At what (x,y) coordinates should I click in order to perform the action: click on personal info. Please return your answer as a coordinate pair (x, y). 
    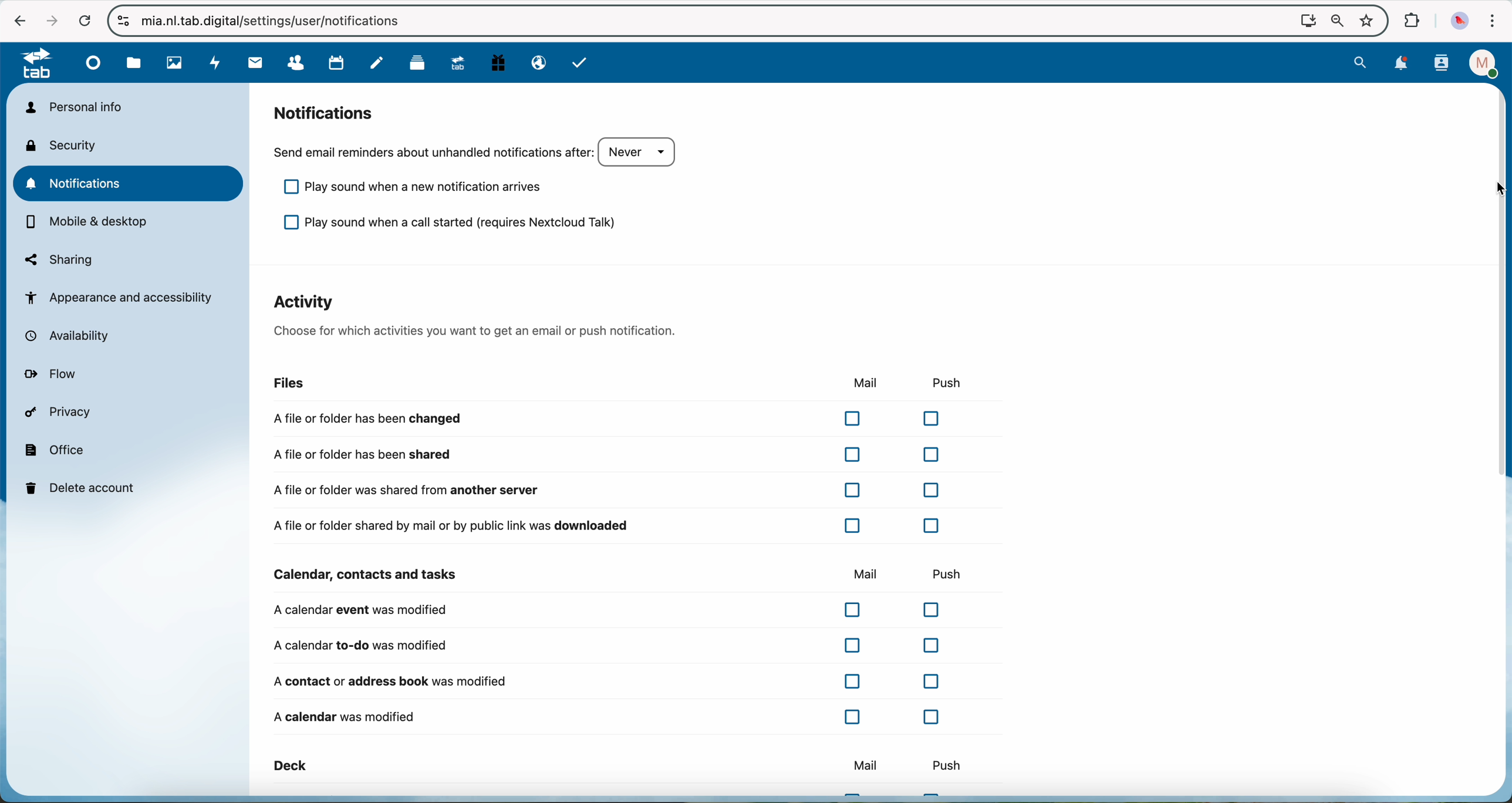
    Looking at the image, I should click on (73, 107).